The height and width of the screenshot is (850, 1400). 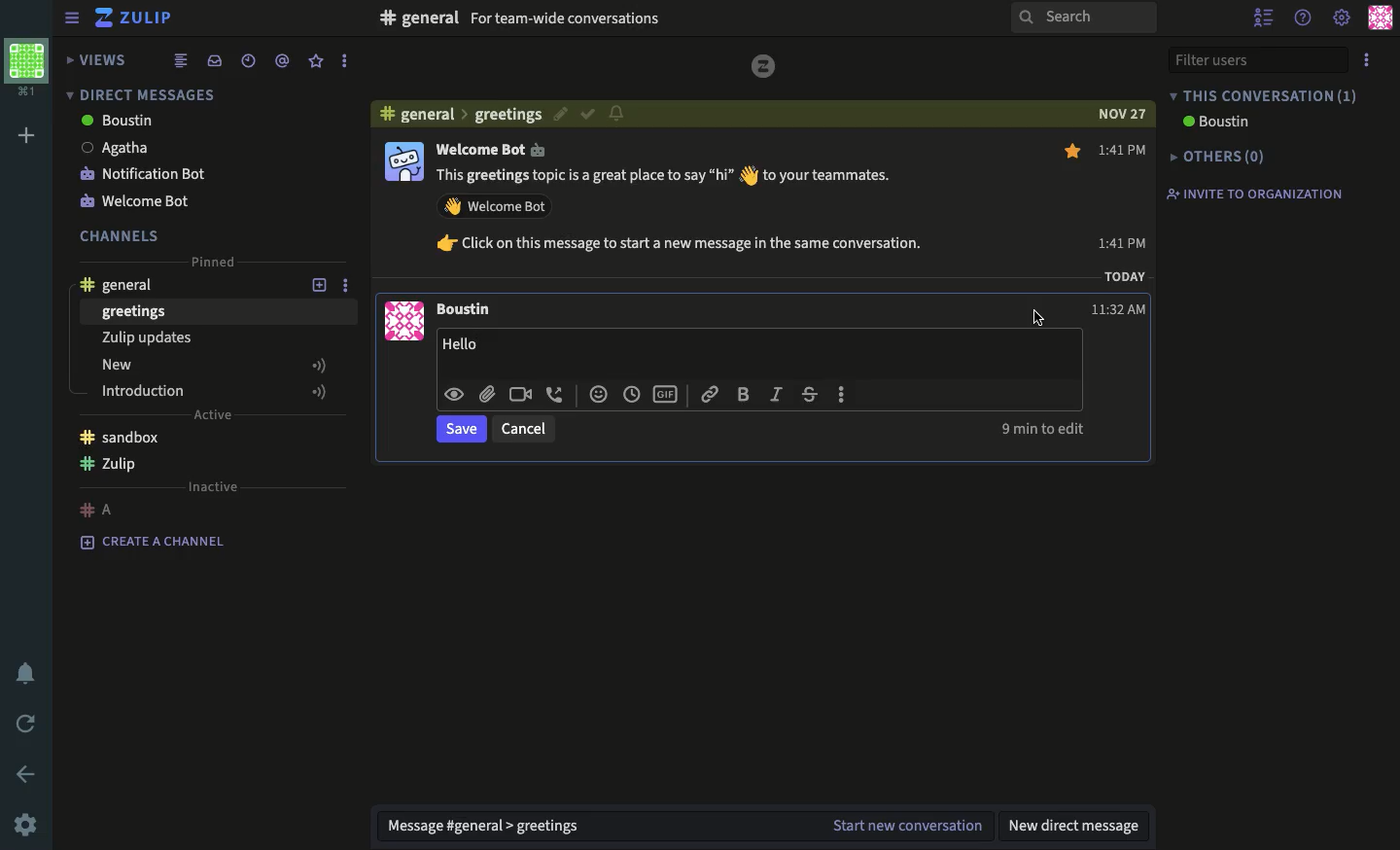 What do you see at coordinates (523, 19) in the screenshot?
I see `general For team-wide conversations` at bounding box center [523, 19].